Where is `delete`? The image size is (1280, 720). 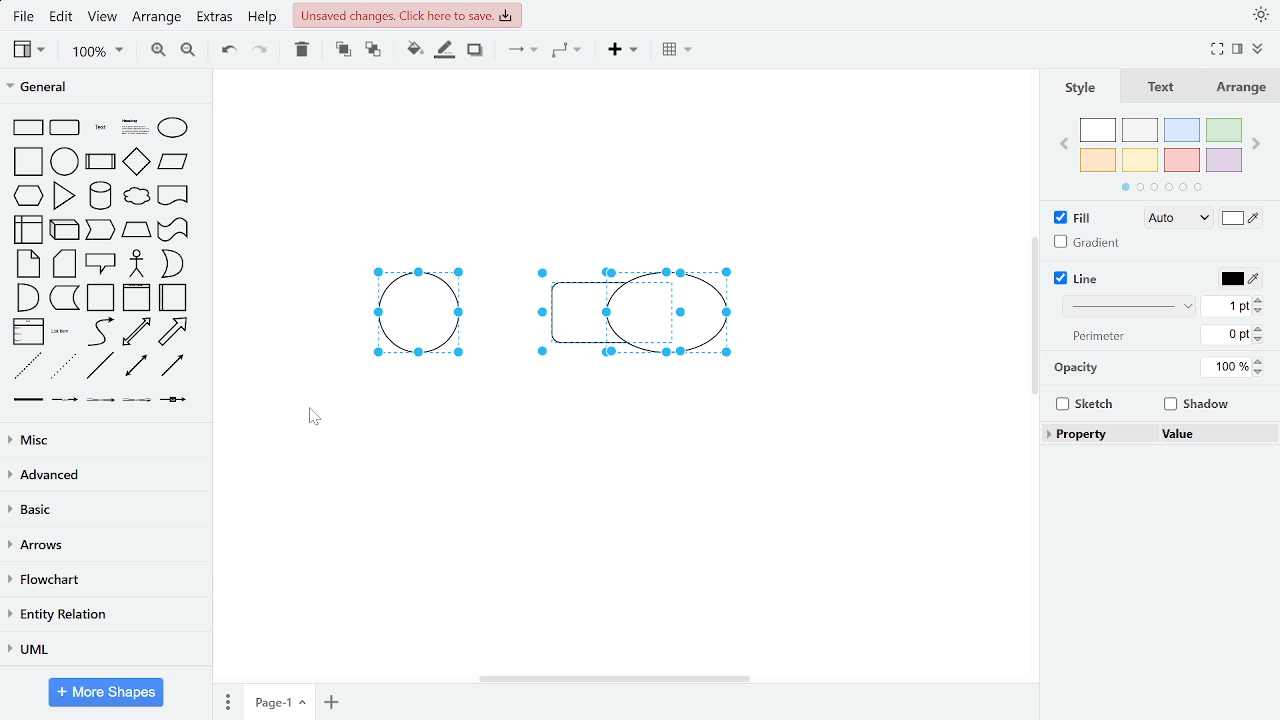
delete is located at coordinates (305, 51).